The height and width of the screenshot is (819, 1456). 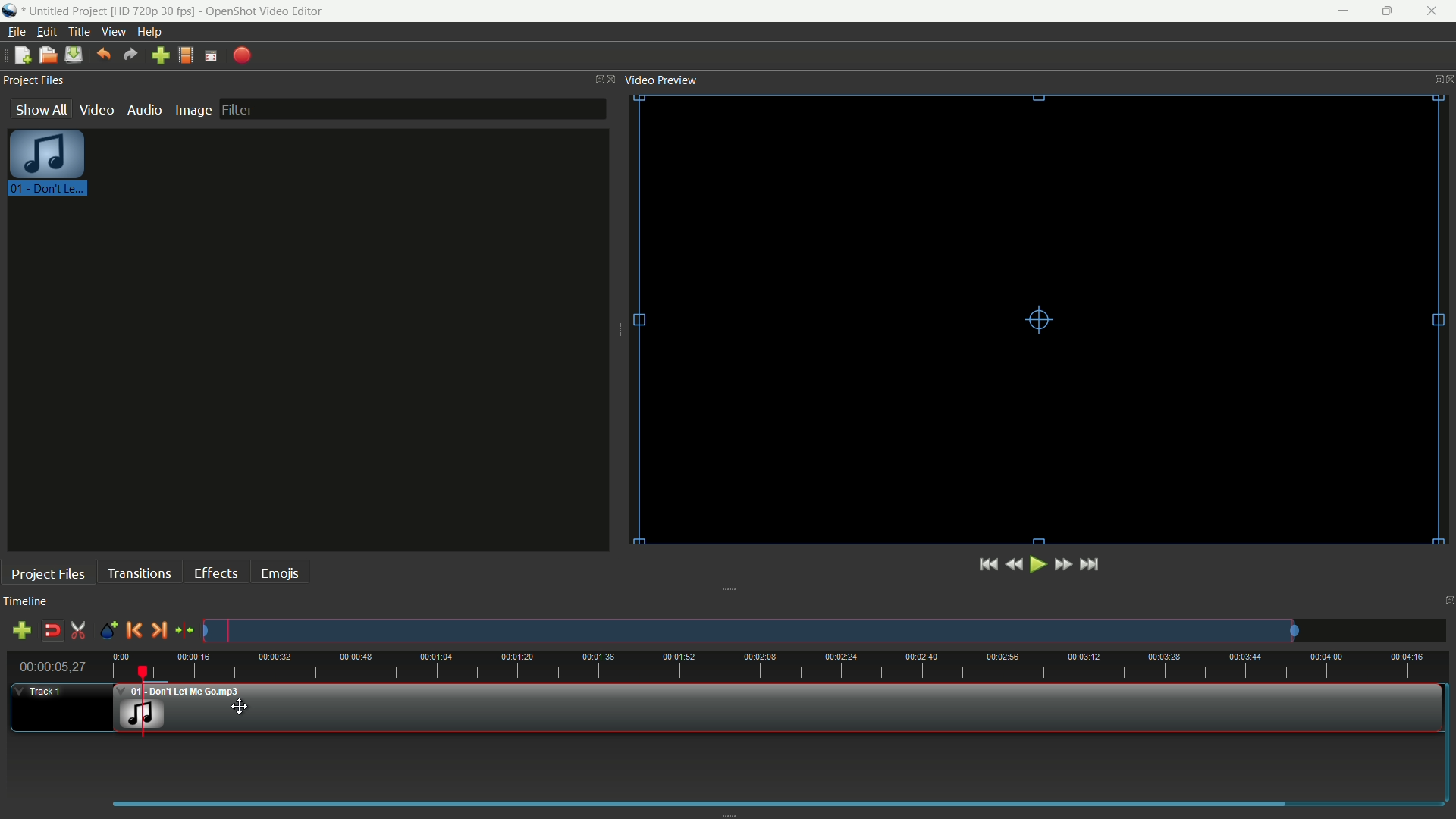 I want to click on show all, so click(x=40, y=108).